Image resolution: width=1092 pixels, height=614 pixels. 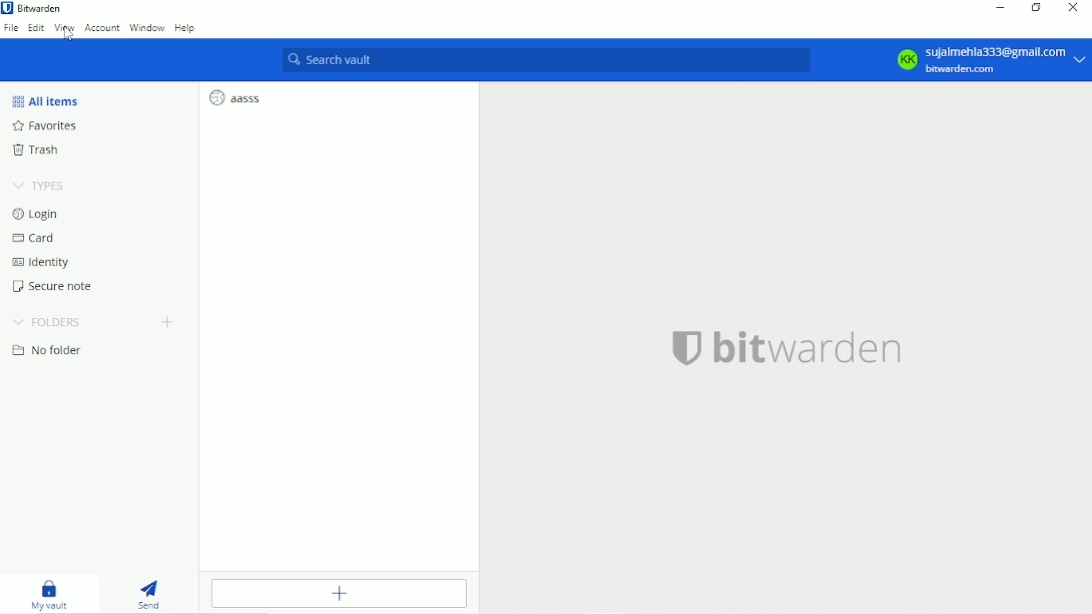 I want to click on Help, so click(x=185, y=29).